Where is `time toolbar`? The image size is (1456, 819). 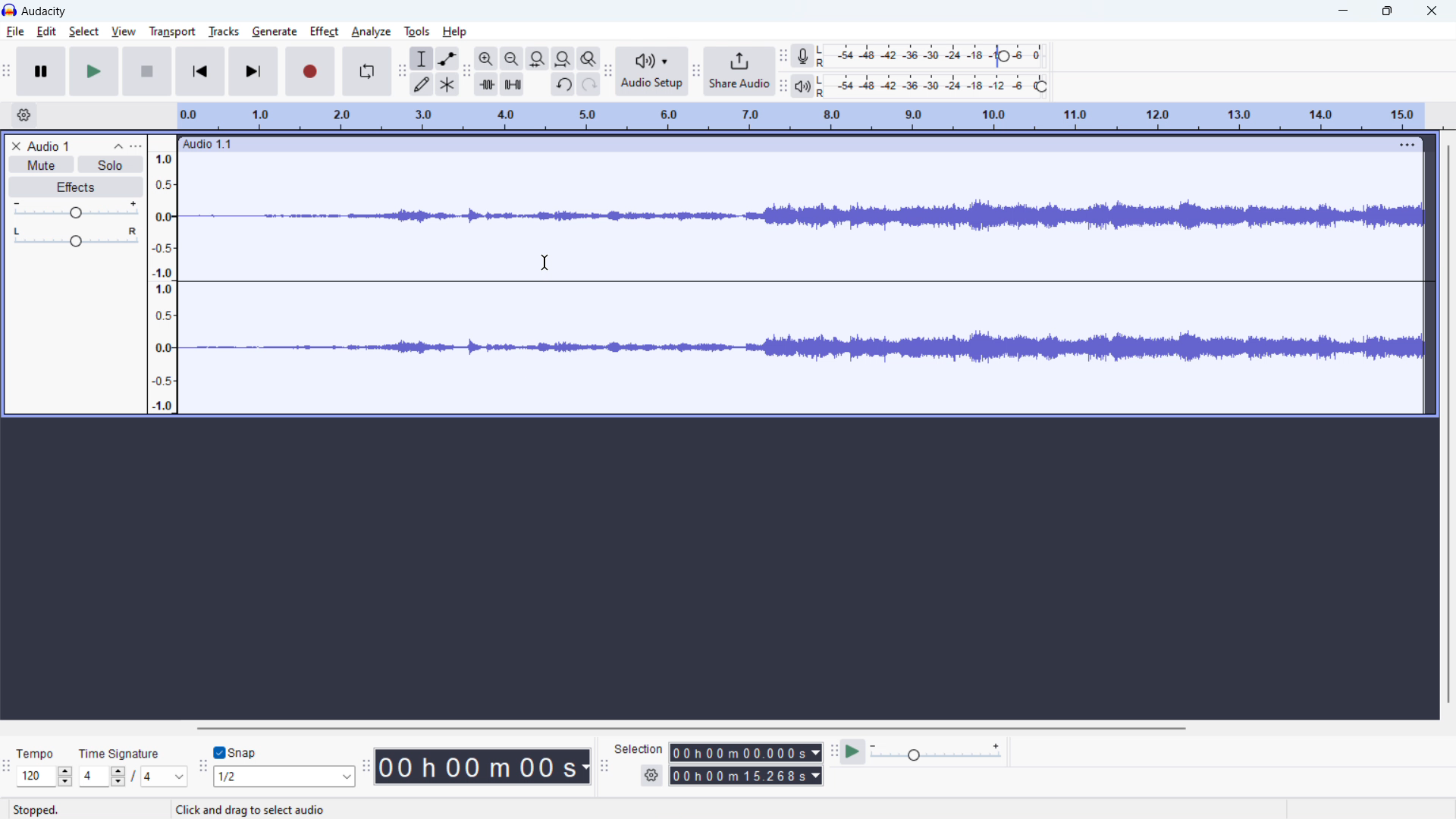 time toolbar is located at coordinates (366, 764).